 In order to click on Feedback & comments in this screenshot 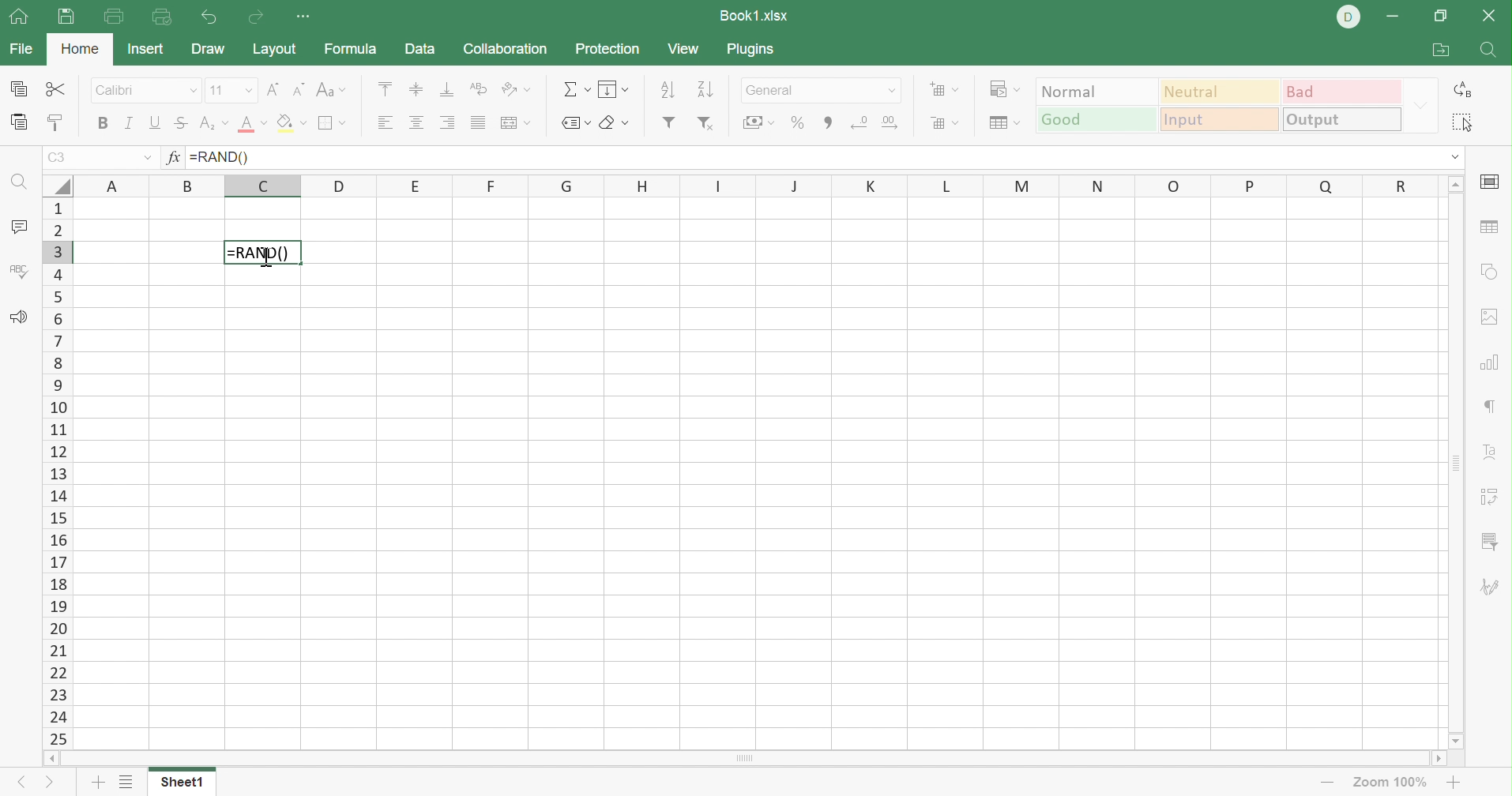, I will do `click(19, 317)`.